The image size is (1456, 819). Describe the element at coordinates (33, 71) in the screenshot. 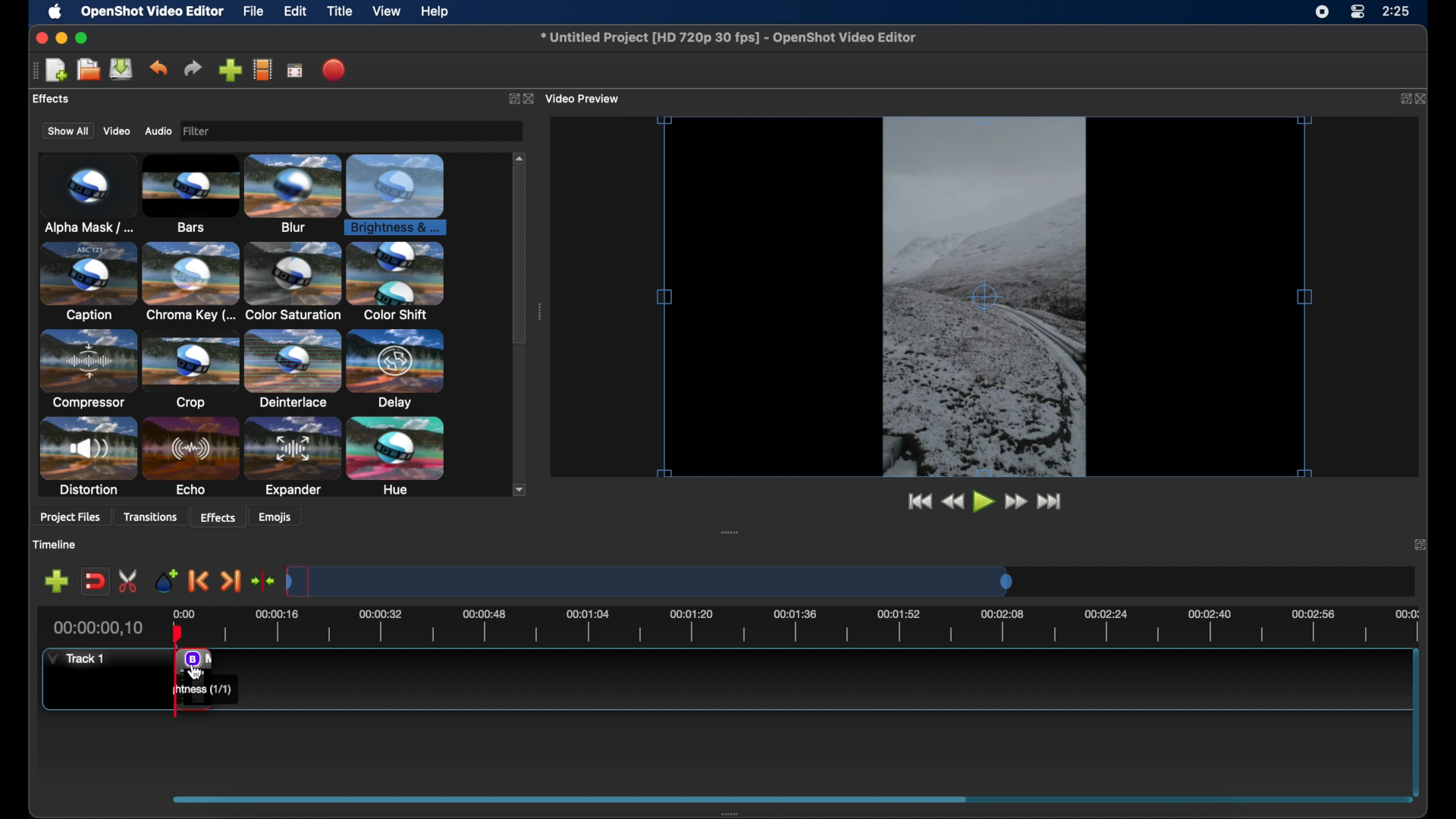

I see `drag handle` at that location.